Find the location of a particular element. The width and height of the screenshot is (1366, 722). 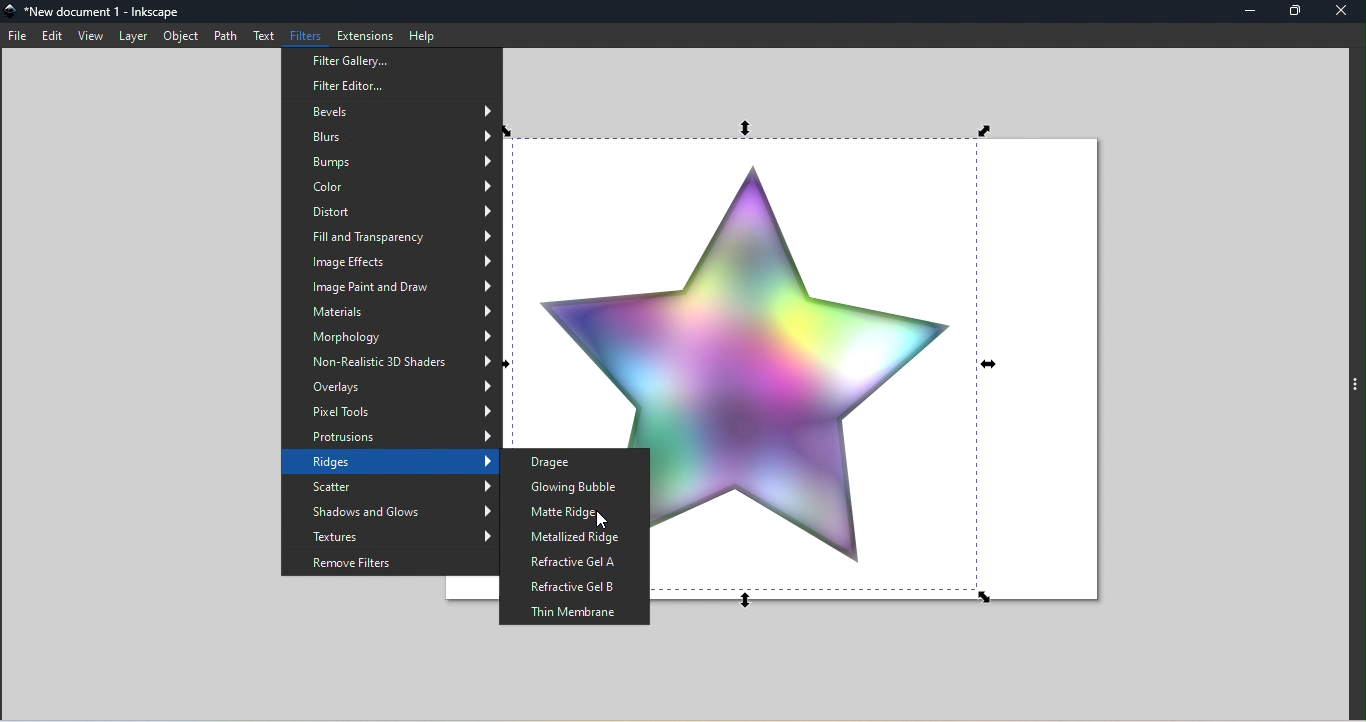

Pixel tools is located at coordinates (392, 413).